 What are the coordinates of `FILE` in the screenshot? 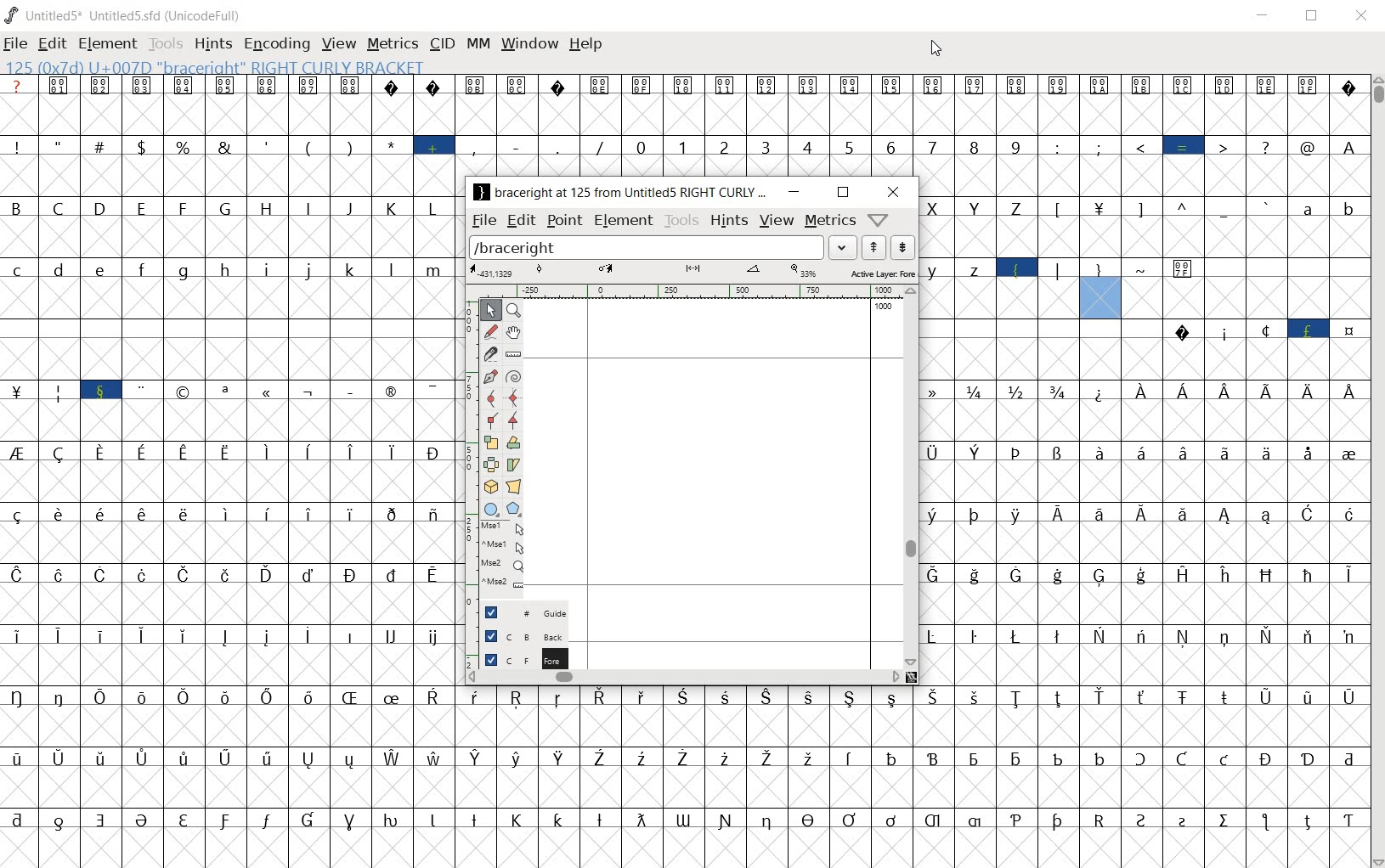 It's located at (16, 45).